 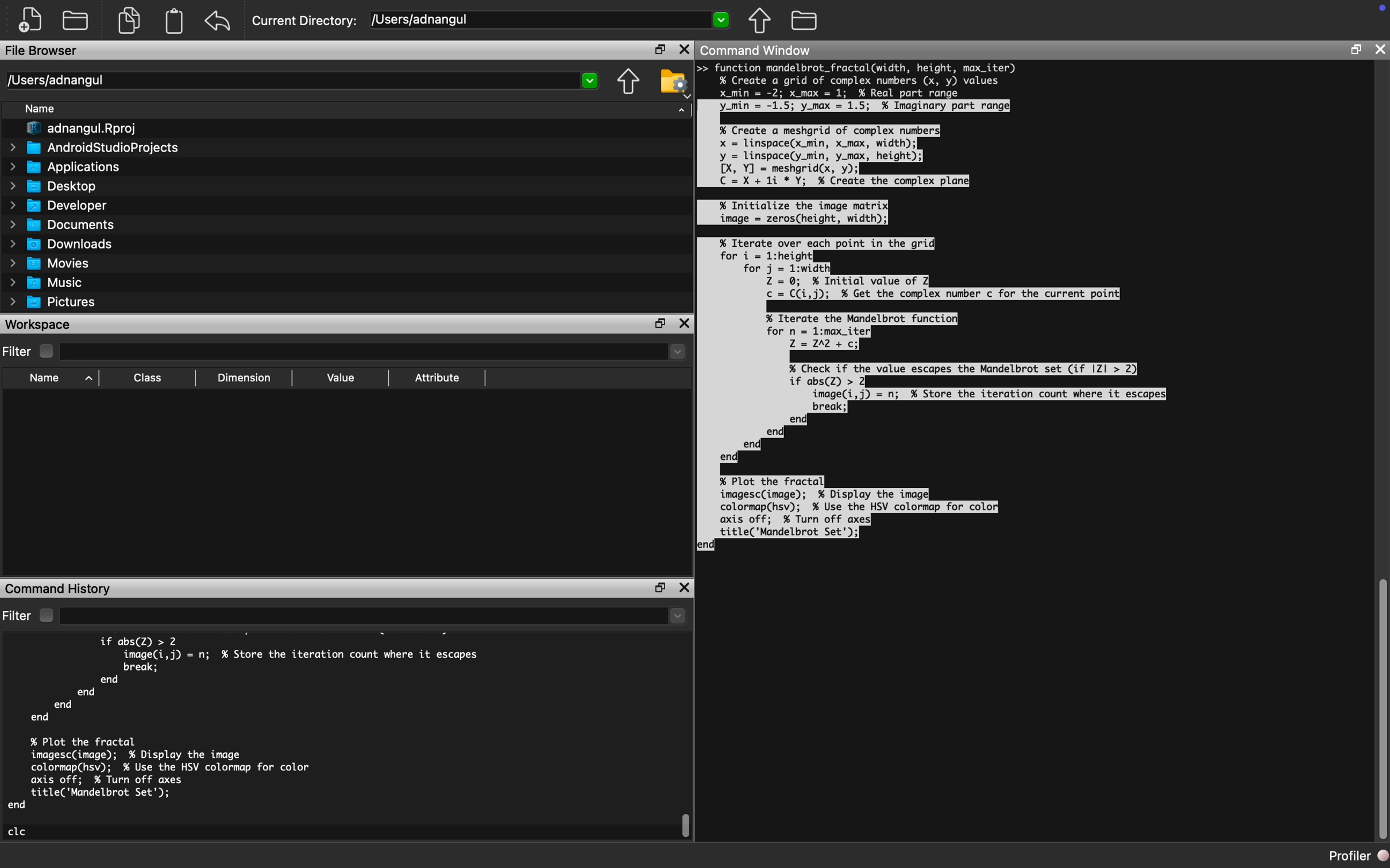 I want to click on Dropdown, so click(x=374, y=354).